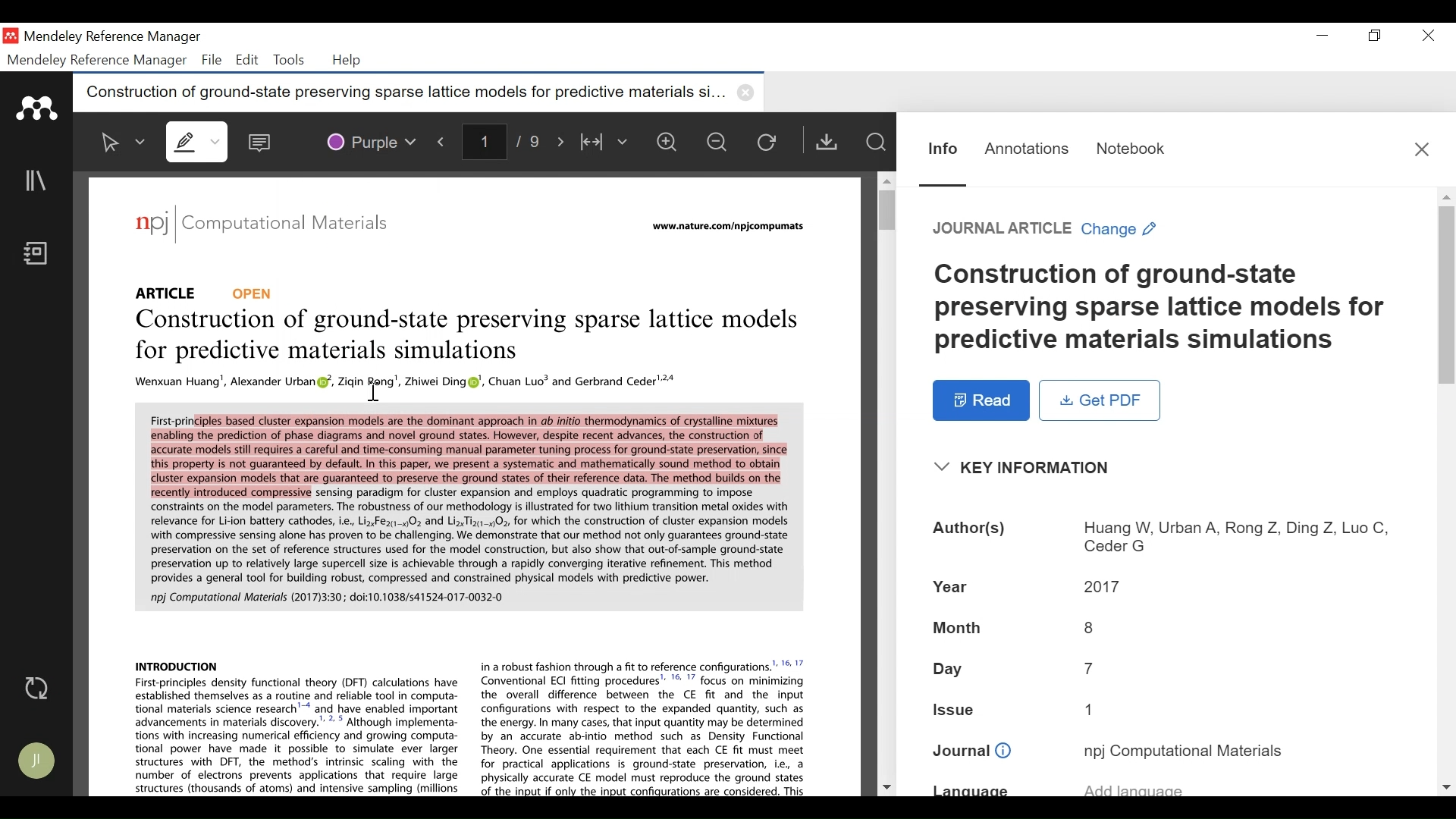  I want to click on Get PDF, so click(831, 141).